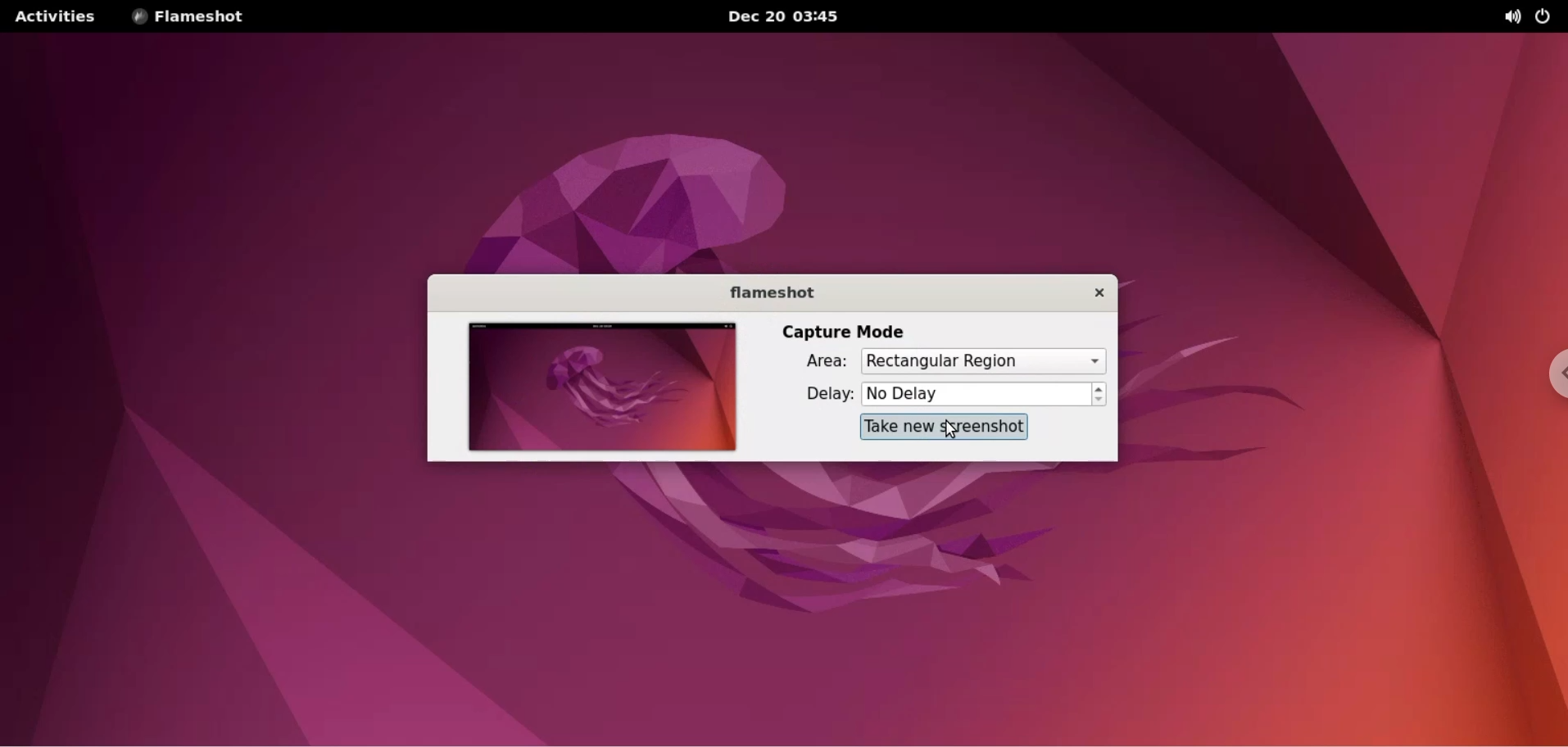 This screenshot has height=747, width=1568. What do you see at coordinates (825, 362) in the screenshot?
I see `area label` at bounding box center [825, 362].